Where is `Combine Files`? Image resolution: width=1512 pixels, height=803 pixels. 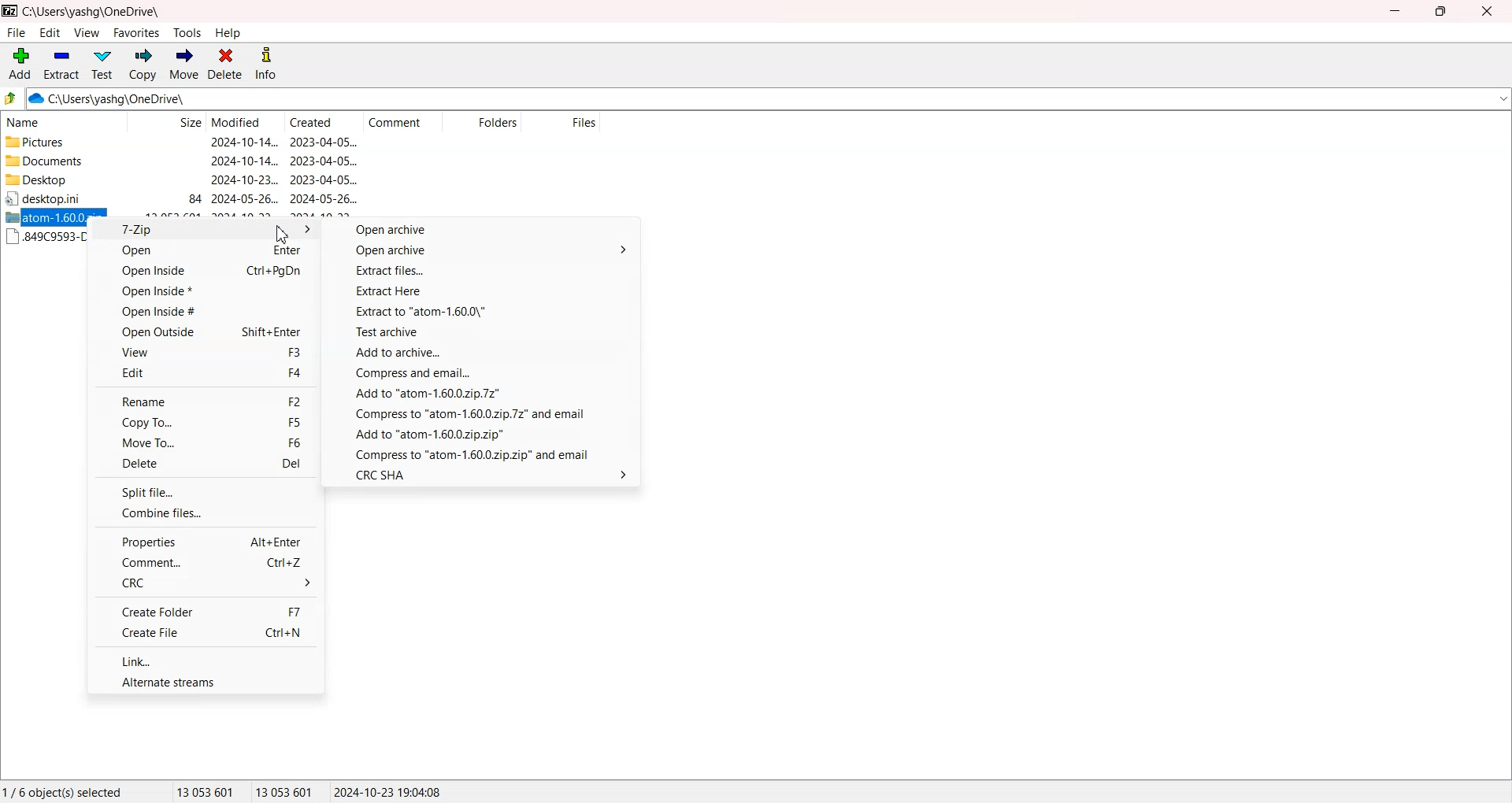 Combine Files is located at coordinates (205, 513).